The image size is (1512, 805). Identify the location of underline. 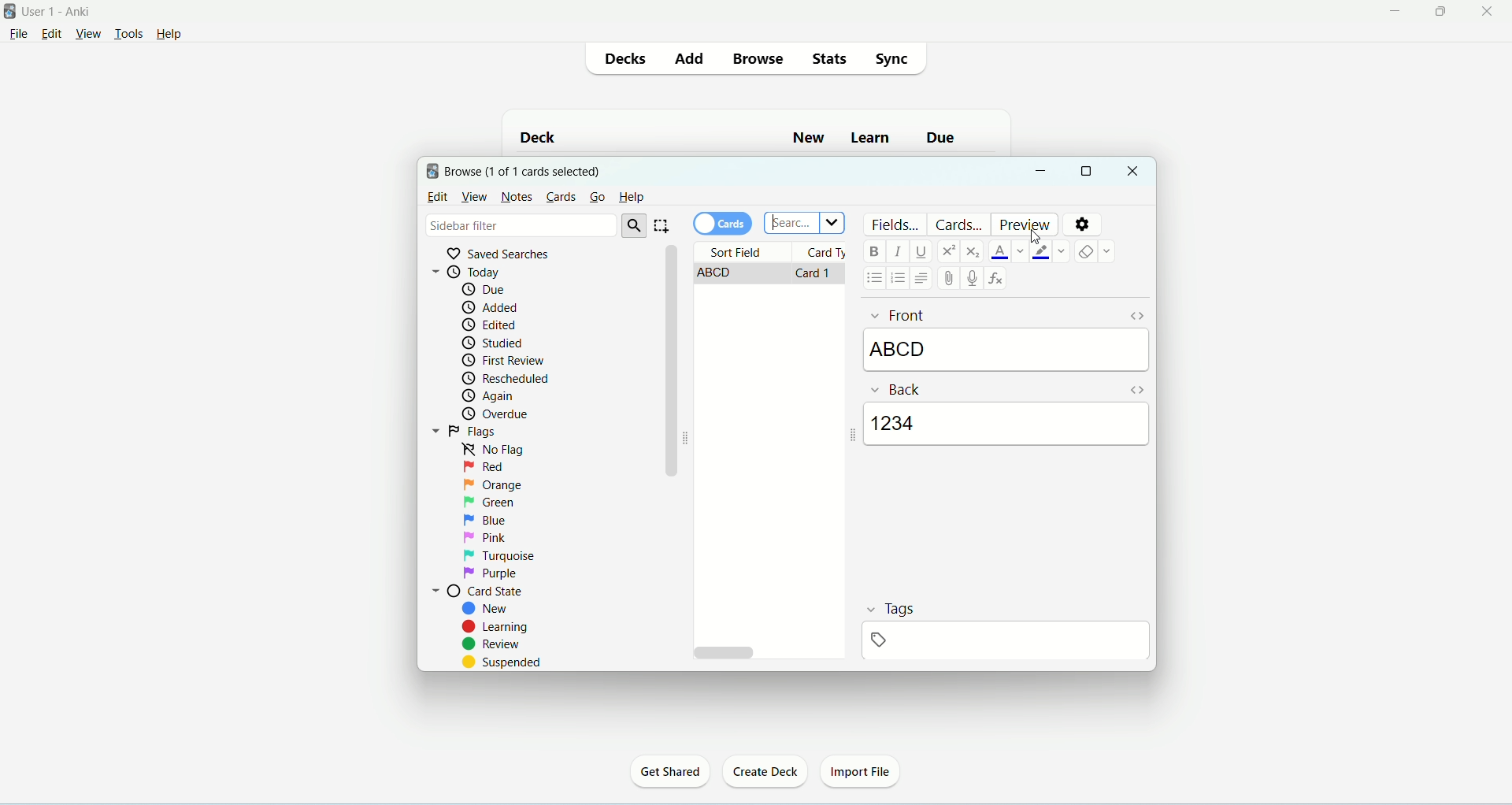
(924, 251).